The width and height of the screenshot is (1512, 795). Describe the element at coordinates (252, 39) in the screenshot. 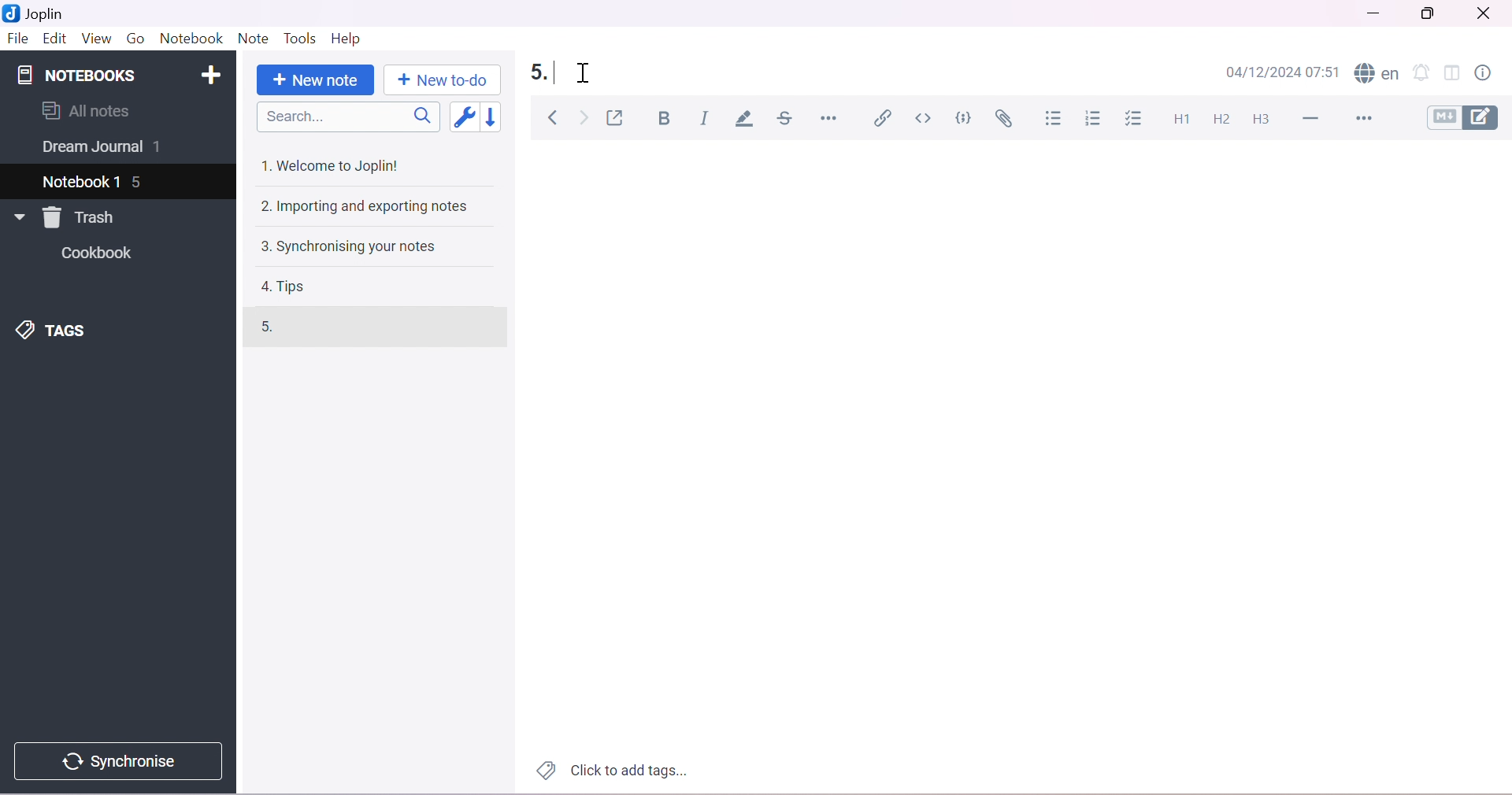

I see `Note` at that location.